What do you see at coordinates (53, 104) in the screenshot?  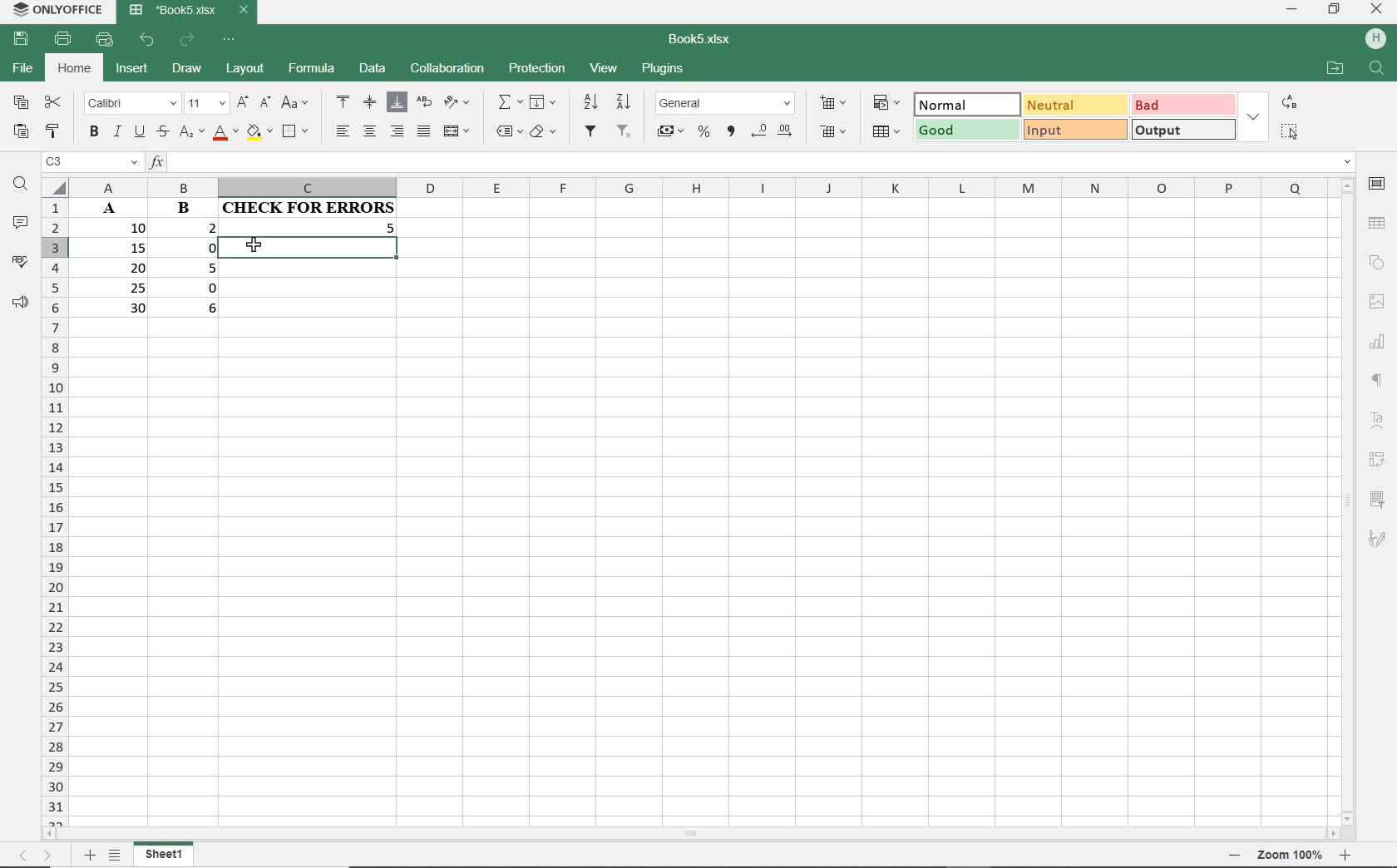 I see `CUT` at bounding box center [53, 104].